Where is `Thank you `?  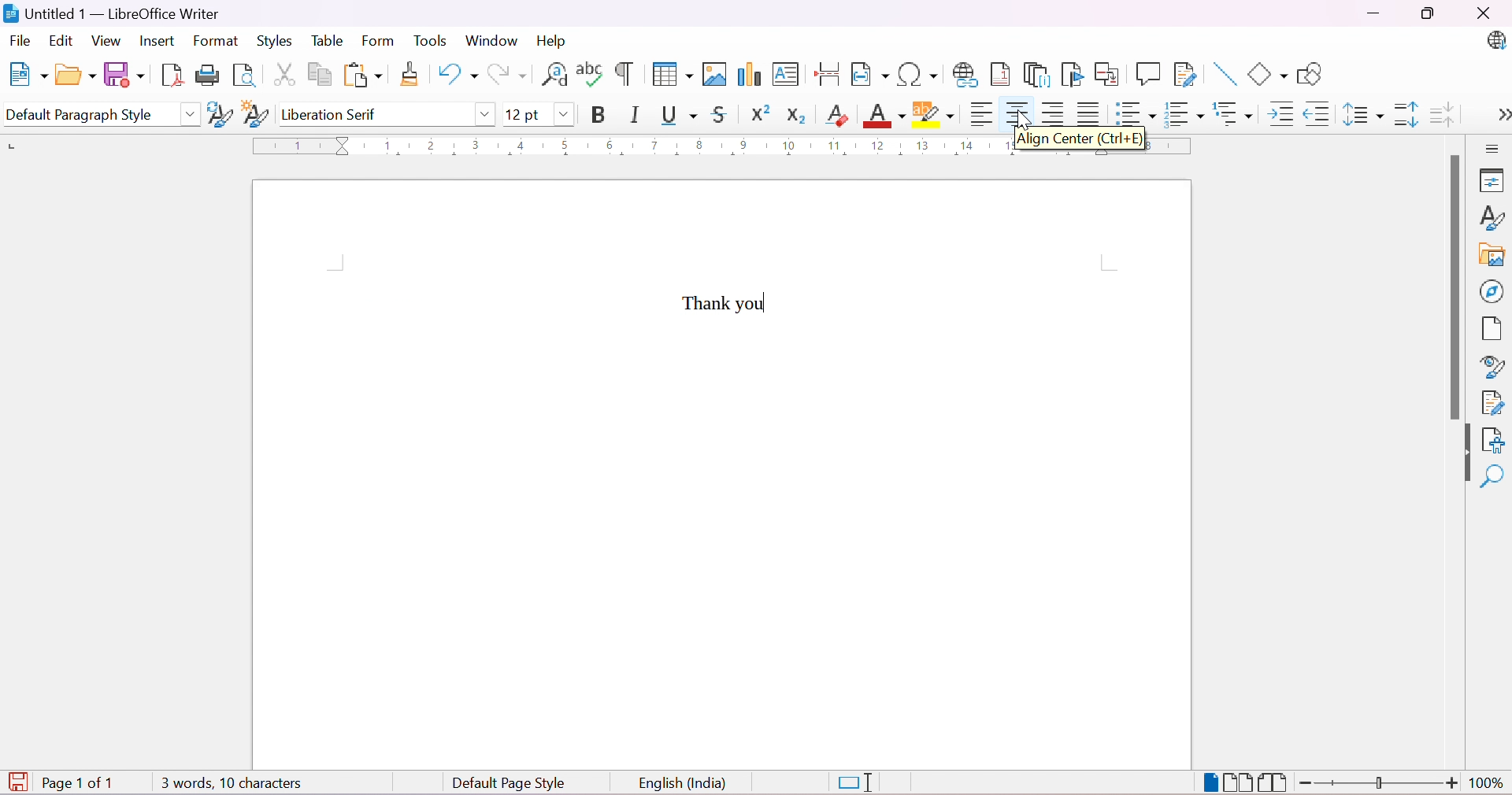
Thank you  is located at coordinates (728, 302).